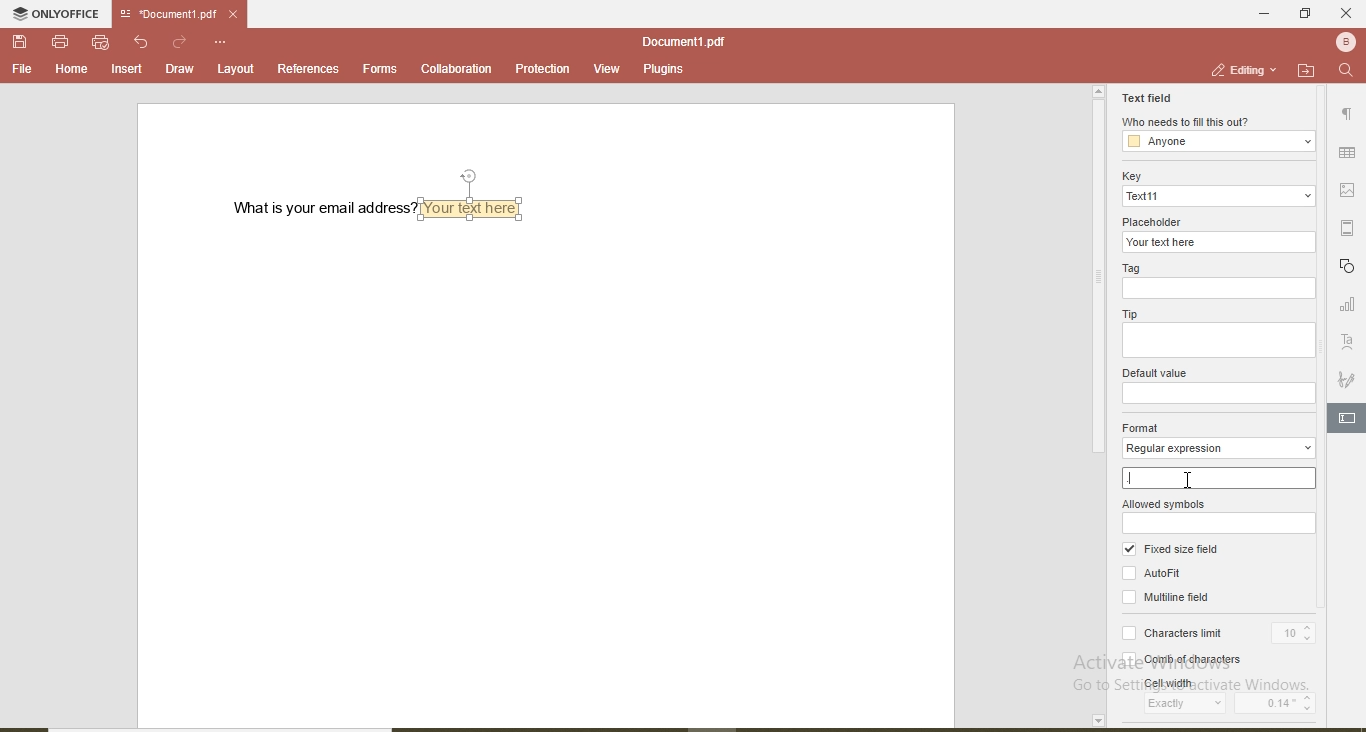 This screenshot has width=1366, height=732. Describe the element at coordinates (1096, 280) in the screenshot. I see `vertical scroll bar` at that location.